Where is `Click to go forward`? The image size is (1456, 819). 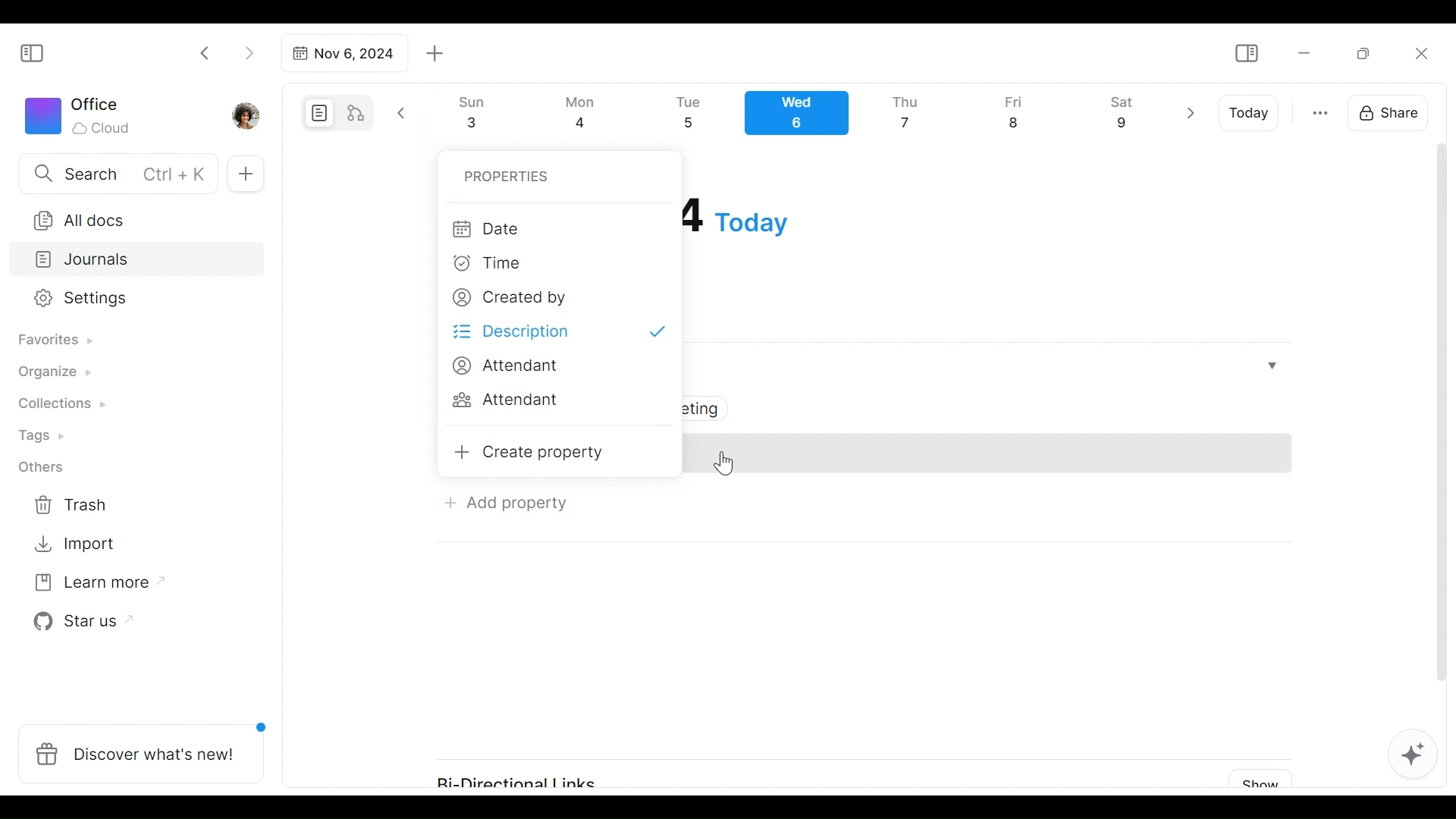 Click to go forward is located at coordinates (249, 52).